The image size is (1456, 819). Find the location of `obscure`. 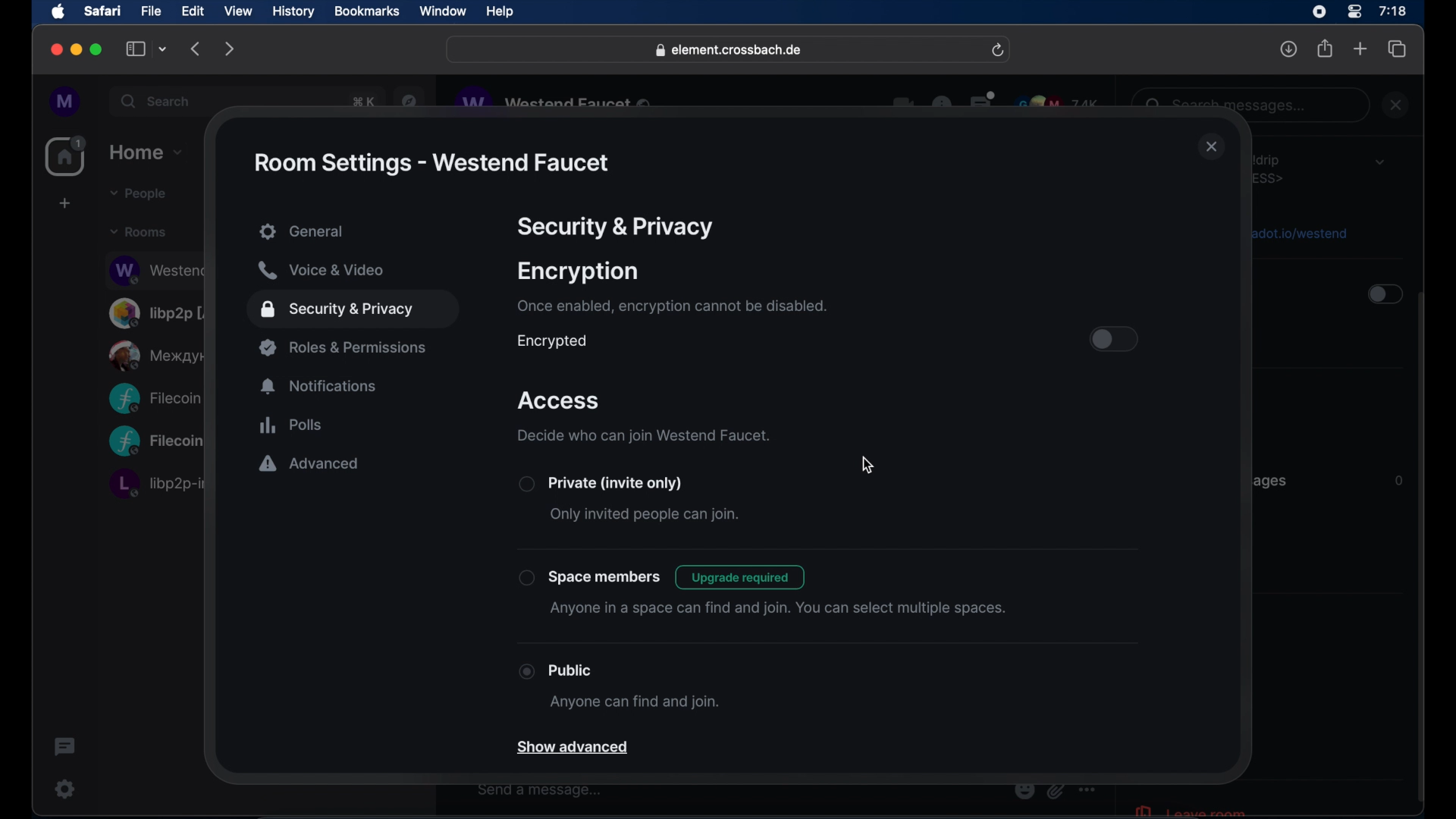

obscure is located at coordinates (160, 312).